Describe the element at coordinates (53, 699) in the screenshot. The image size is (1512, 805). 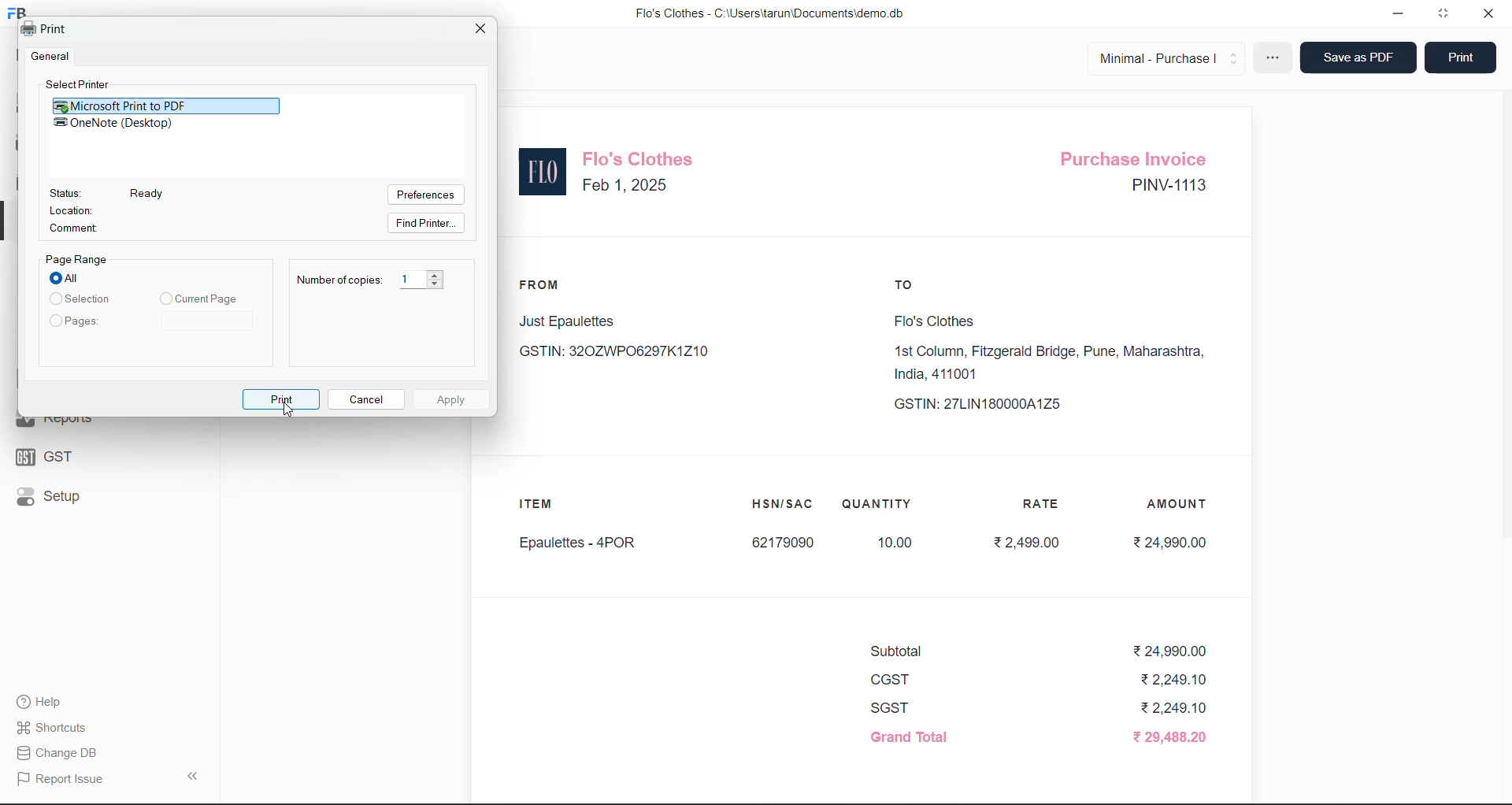
I see ` Help` at that location.